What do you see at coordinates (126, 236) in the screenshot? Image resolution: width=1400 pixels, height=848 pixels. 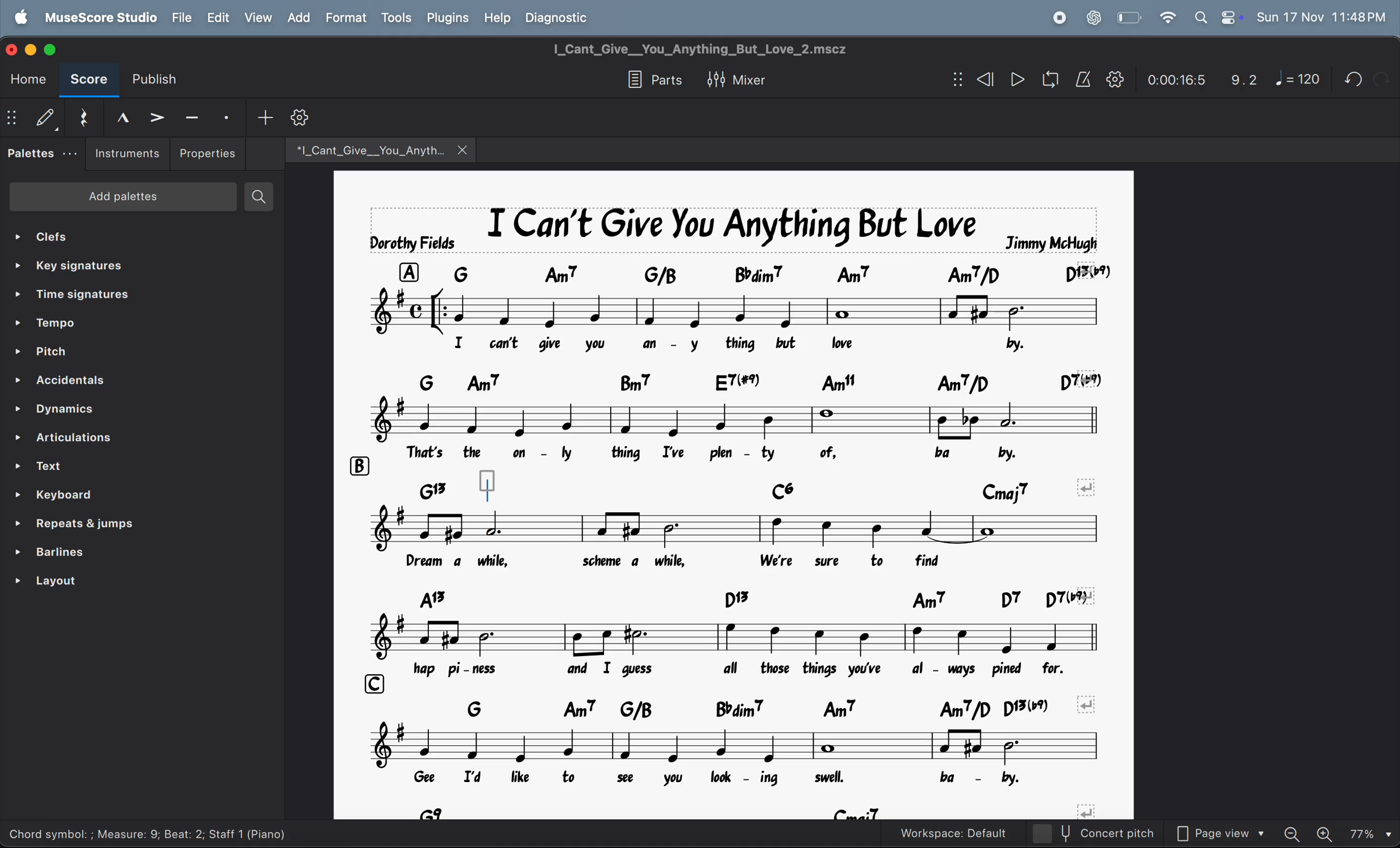 I see `clefs` at bounding box center [126, 236].